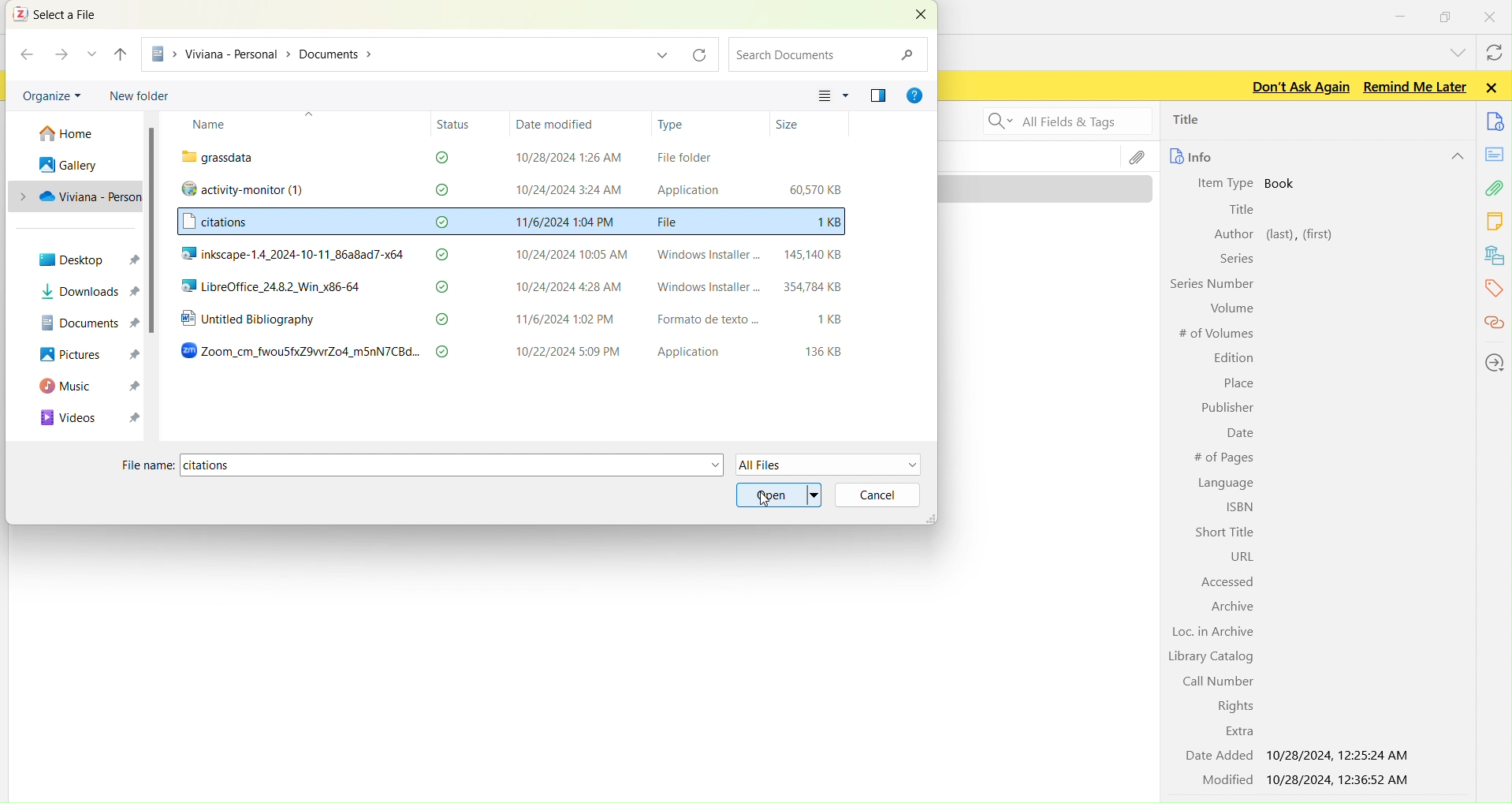 This screenshot has height=803, width=1512. I want to click on Date Added, so click(1216, 756).